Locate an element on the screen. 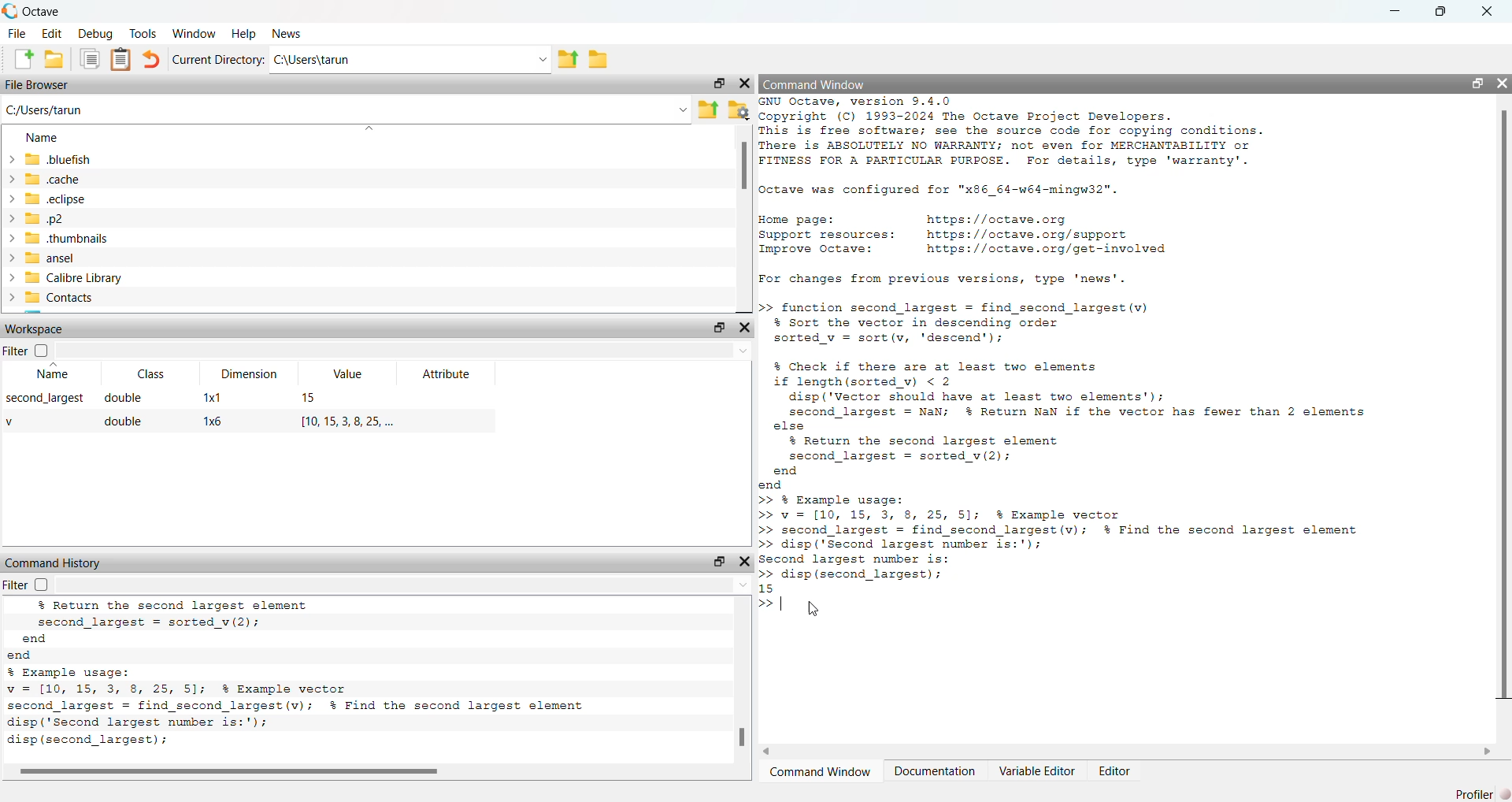 Image resolution: width=1512 pixels, height=802 pixels. one directory up is located at coordinates (573, 60).